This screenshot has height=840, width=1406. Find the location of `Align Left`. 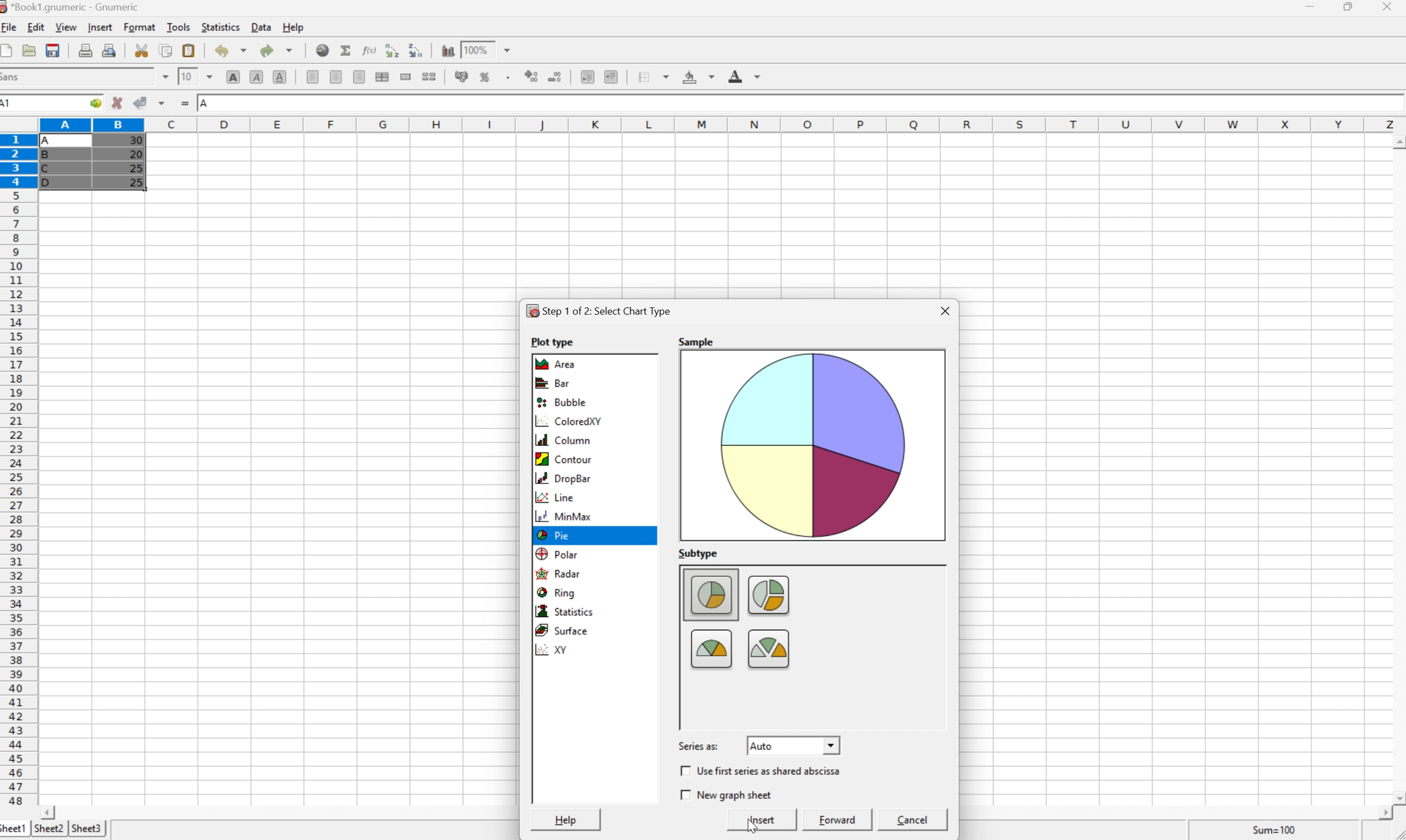

Align Left is located at coordinates (313, 78).